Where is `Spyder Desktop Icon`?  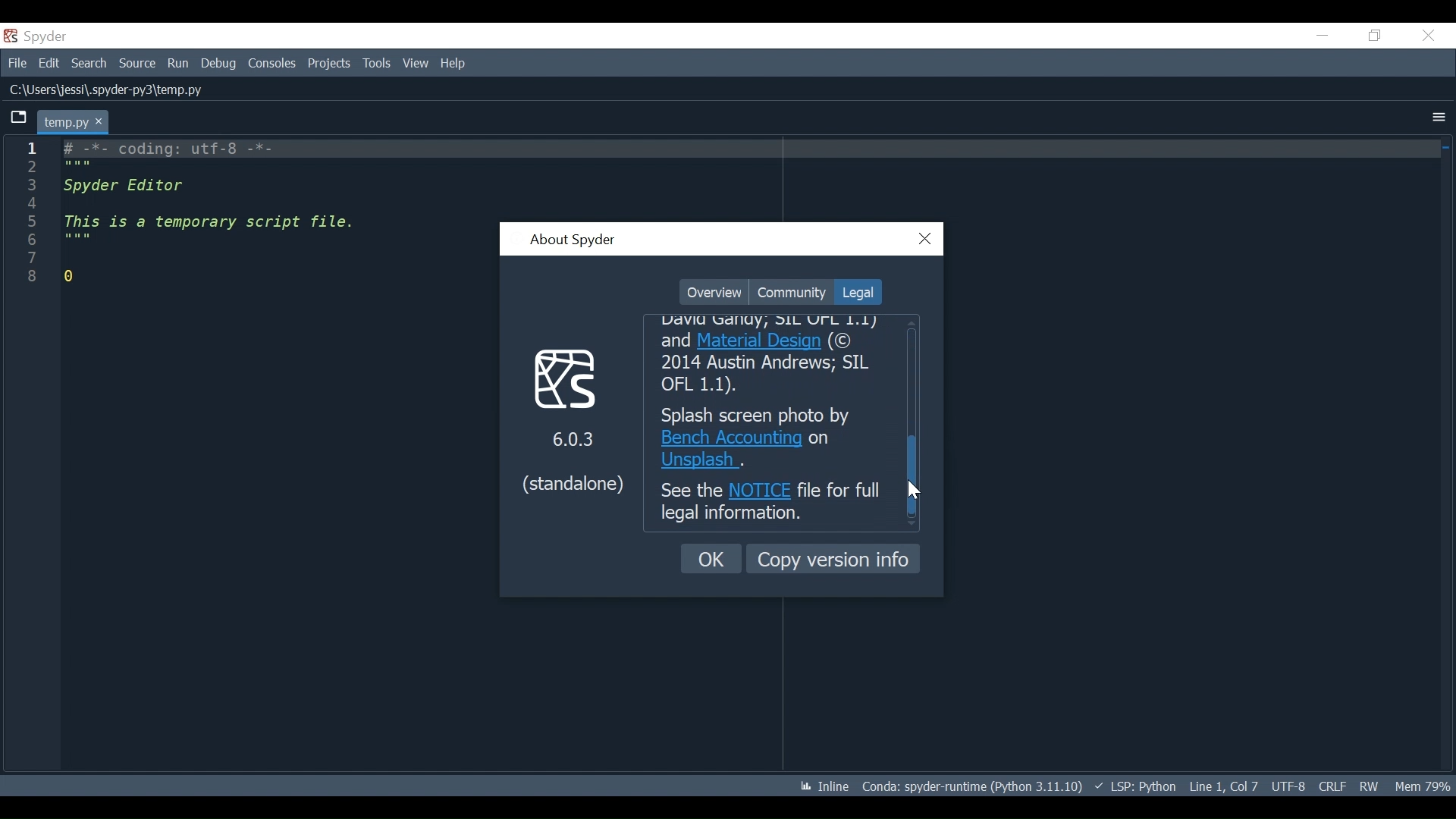 Spyder Desktop Icon is located at coordinates (39, 36).